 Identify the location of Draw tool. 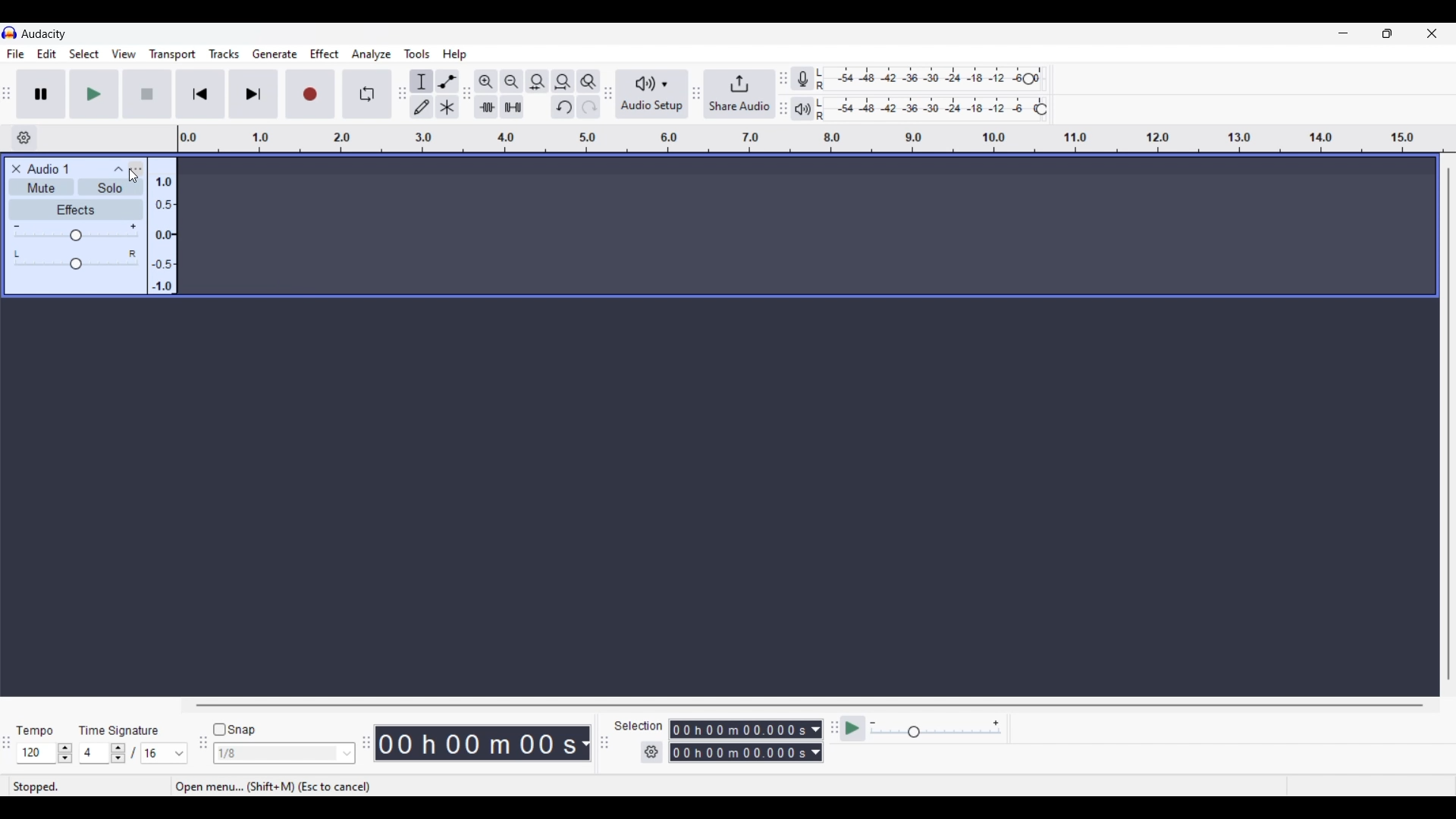
(422, 107).